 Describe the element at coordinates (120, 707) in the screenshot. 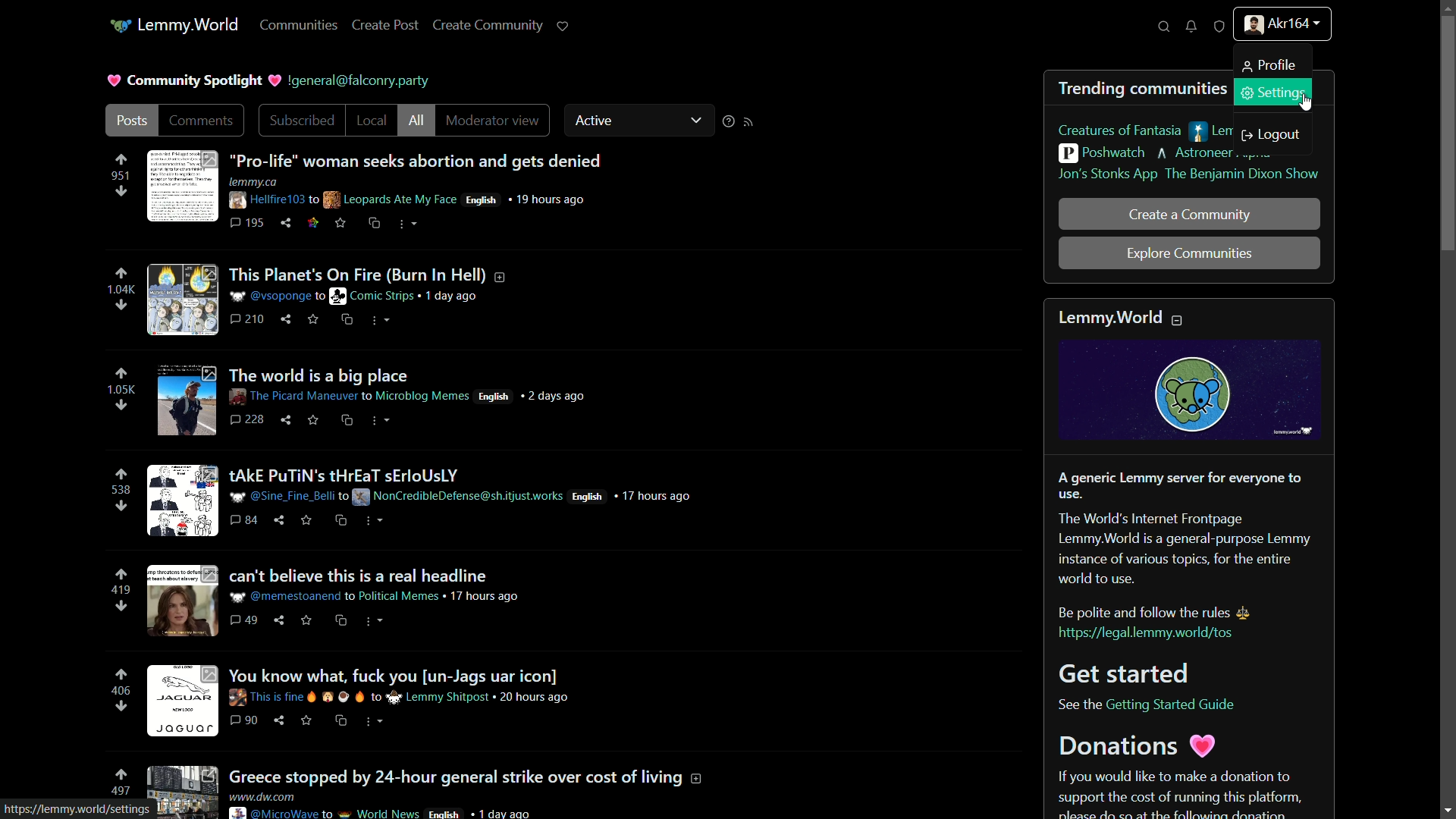

I see `downvote` at that location.